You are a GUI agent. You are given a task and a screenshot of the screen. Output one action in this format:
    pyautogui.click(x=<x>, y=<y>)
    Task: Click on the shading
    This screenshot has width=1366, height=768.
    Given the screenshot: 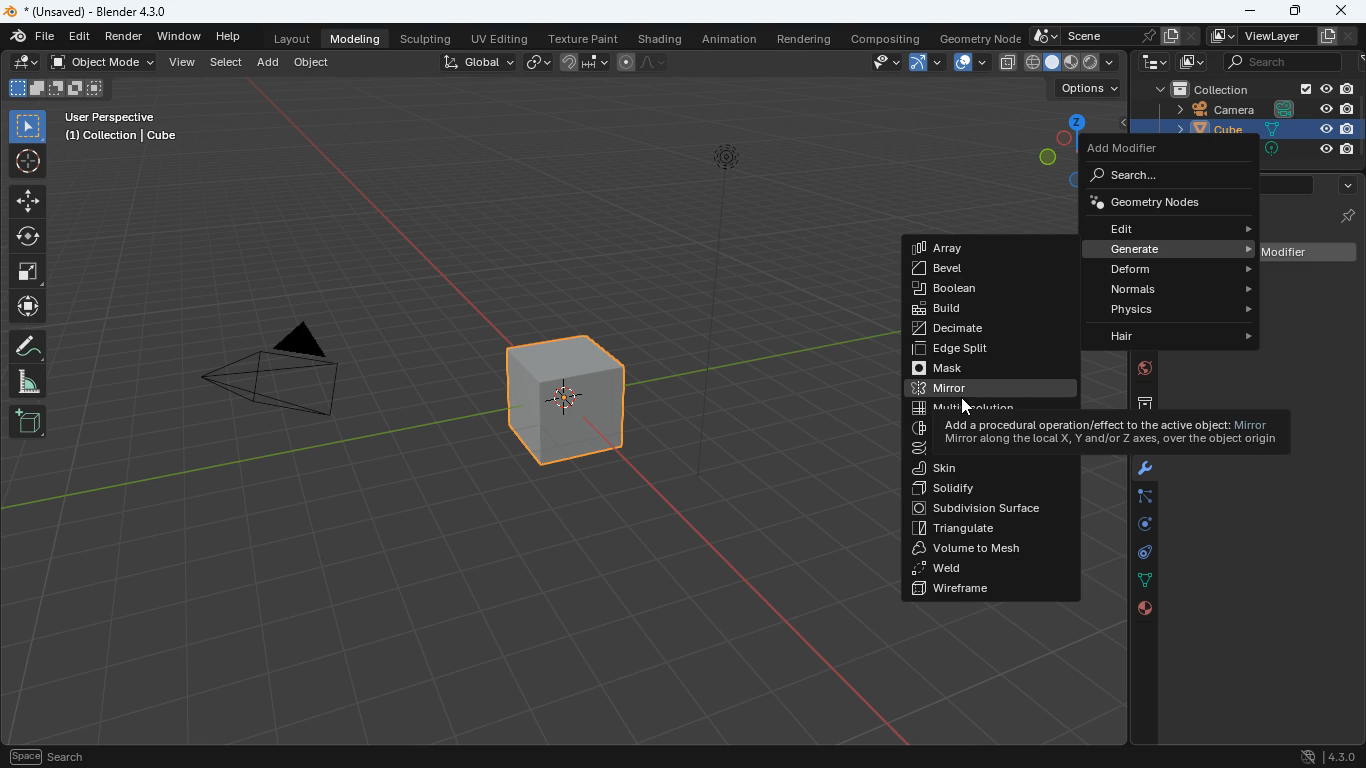 What is the action you would take?
    pyautogui.click(x=663, y=39)
    